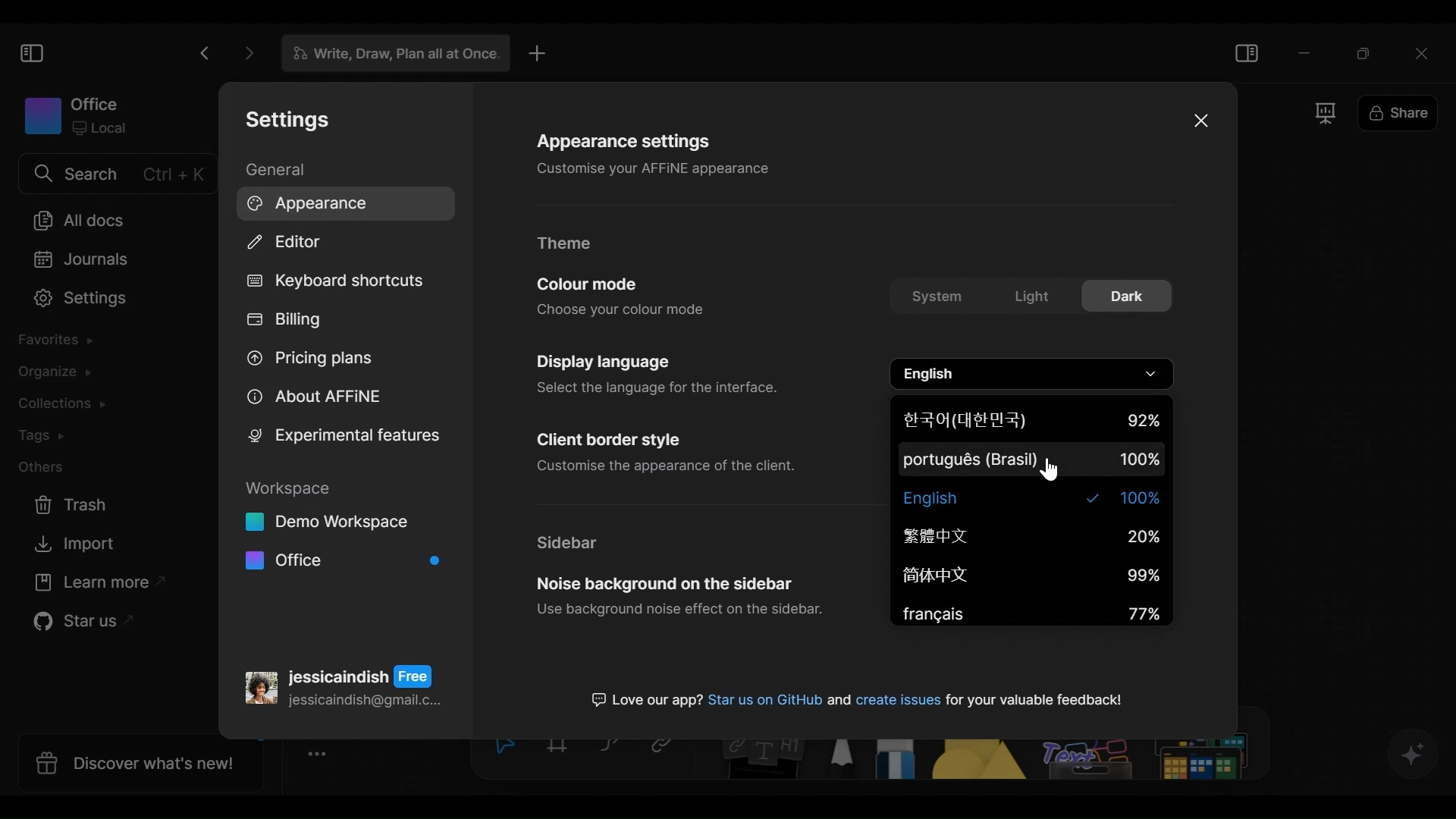  I want to click on Other, so click(43, 468).